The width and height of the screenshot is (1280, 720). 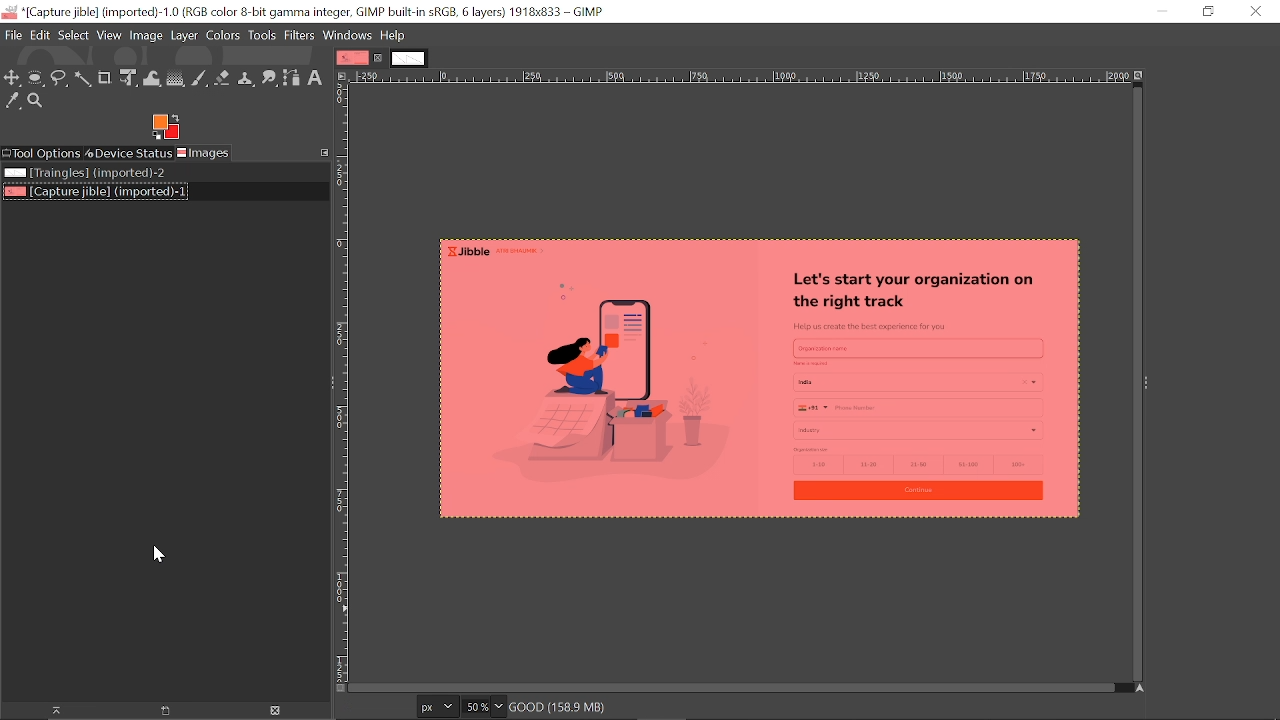 I want to click on Select, so click(x=73, y=36).